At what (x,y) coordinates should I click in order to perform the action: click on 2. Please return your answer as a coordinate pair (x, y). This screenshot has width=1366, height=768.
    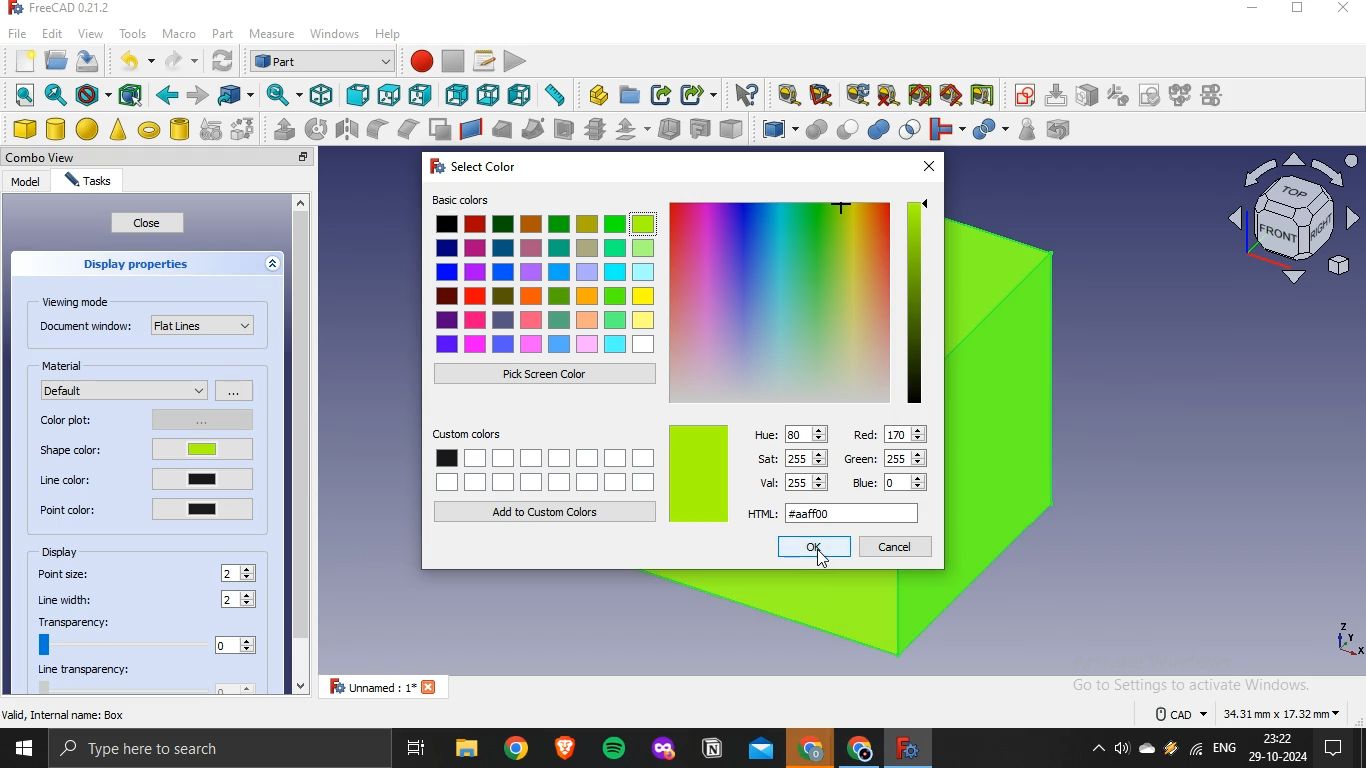
    Looking at the image, I should click on (241, 573).